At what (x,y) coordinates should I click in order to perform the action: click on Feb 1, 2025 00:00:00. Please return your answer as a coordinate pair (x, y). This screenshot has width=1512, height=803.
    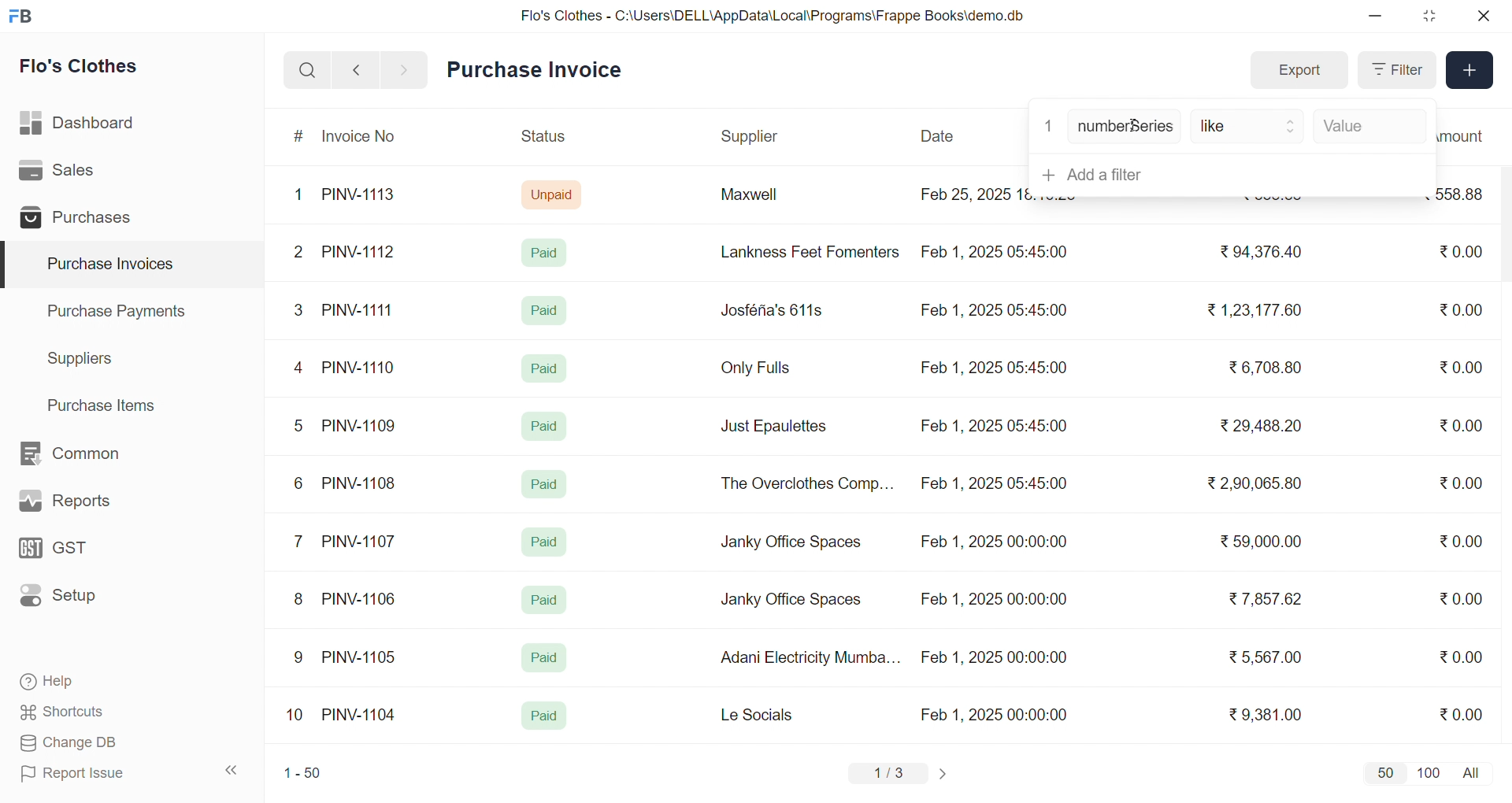
    Looking at the image, I should click on (996, 714).